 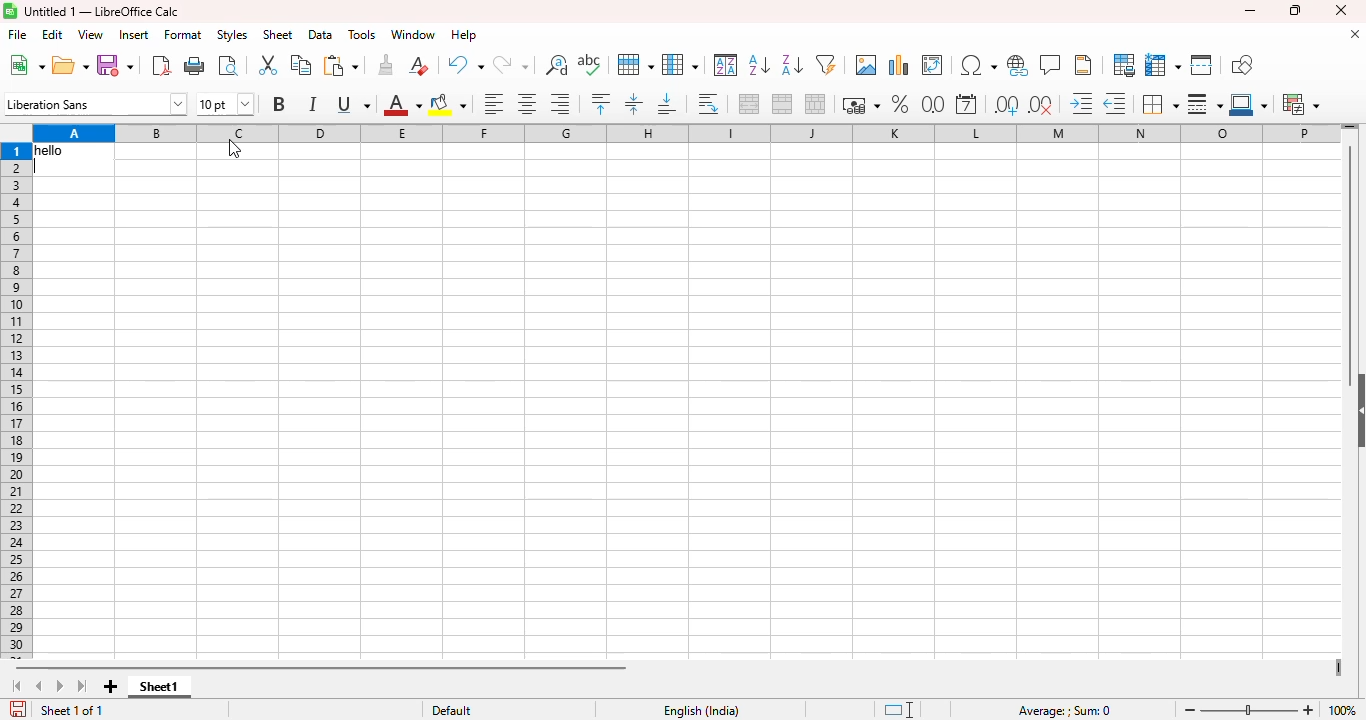 I want to click on sheet1, so click(x=159, y=687).